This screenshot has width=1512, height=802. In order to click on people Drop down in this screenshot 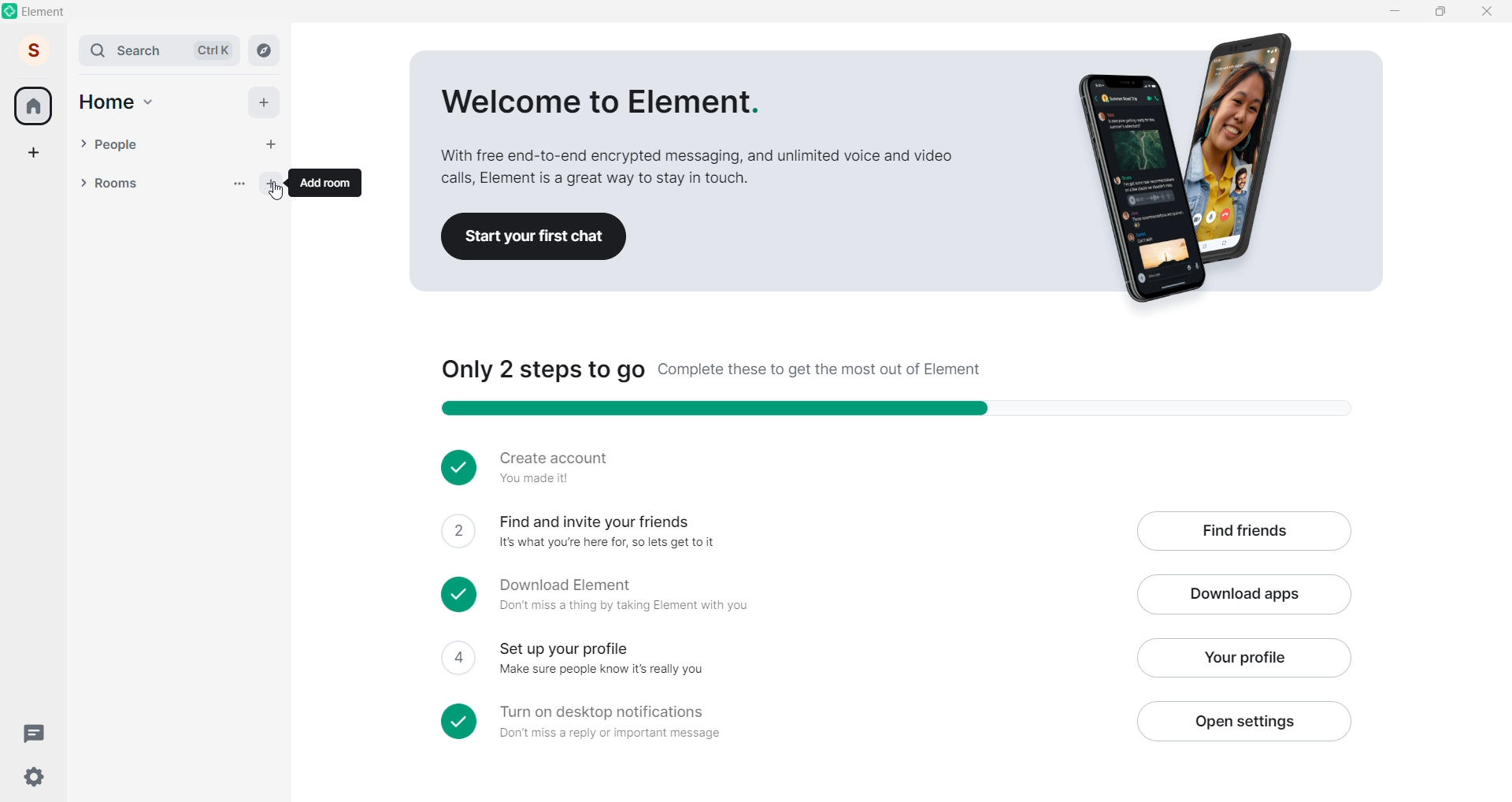, I will do `click(83, 143)`.